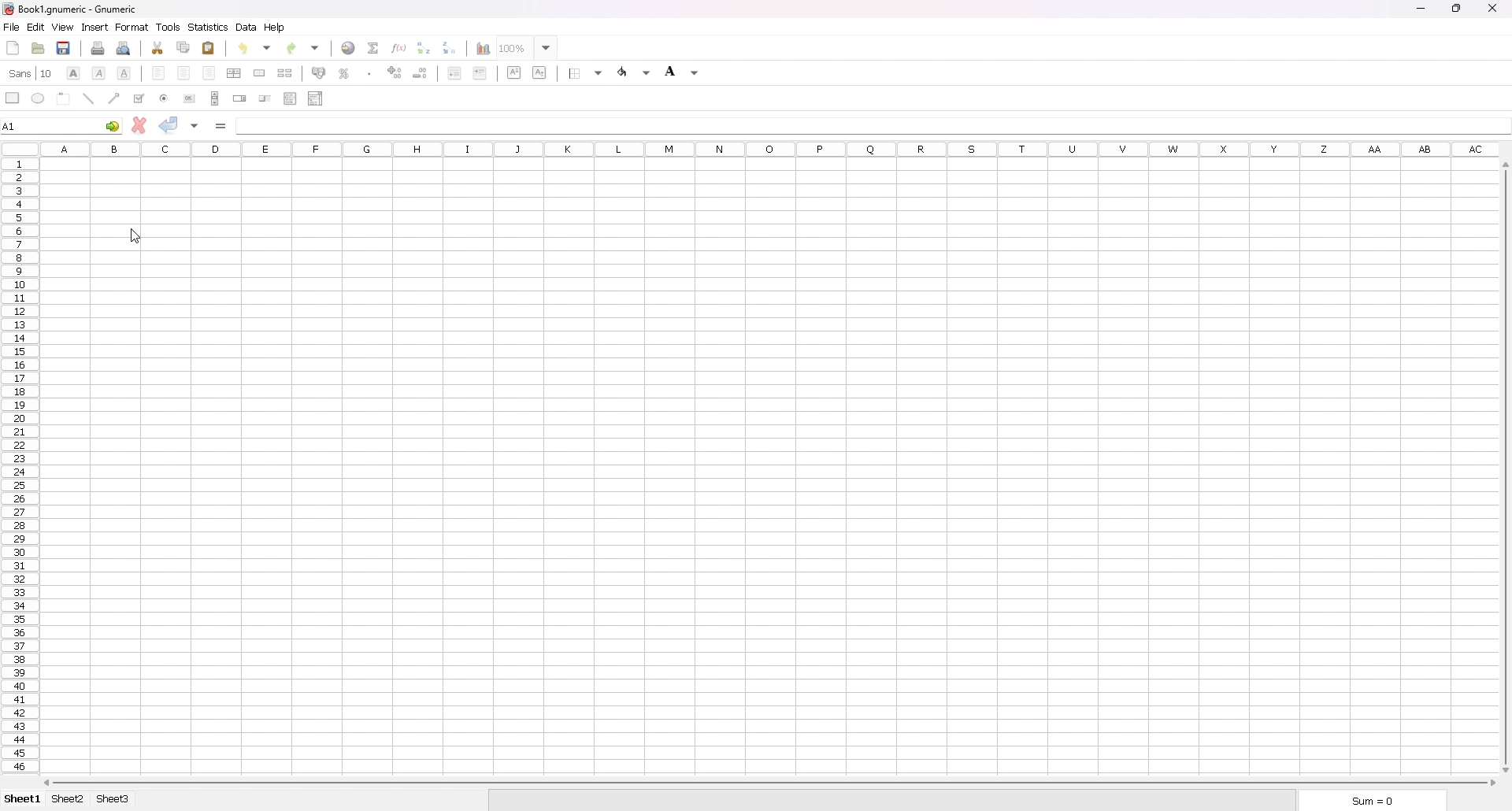 The width and height of the screenshot is (1512, 811). What do you see at coordinates (396, 71) in the screenshot?
I see `increase decimals` at bounding box center [396, 71].